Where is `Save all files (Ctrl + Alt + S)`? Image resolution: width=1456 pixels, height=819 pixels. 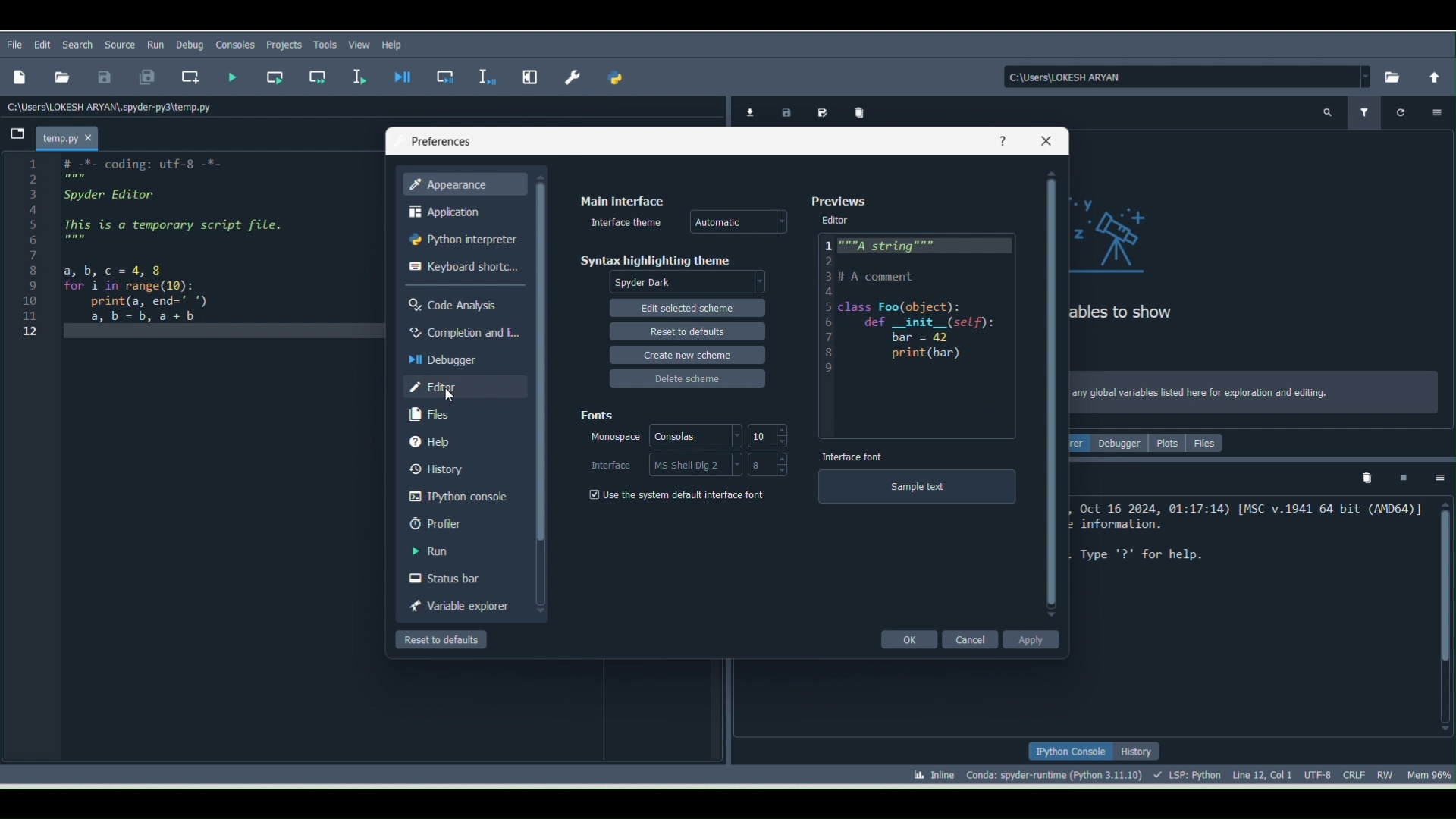
Save all files (Ctrl + Alt + S) is located at coordinates (140, 78).